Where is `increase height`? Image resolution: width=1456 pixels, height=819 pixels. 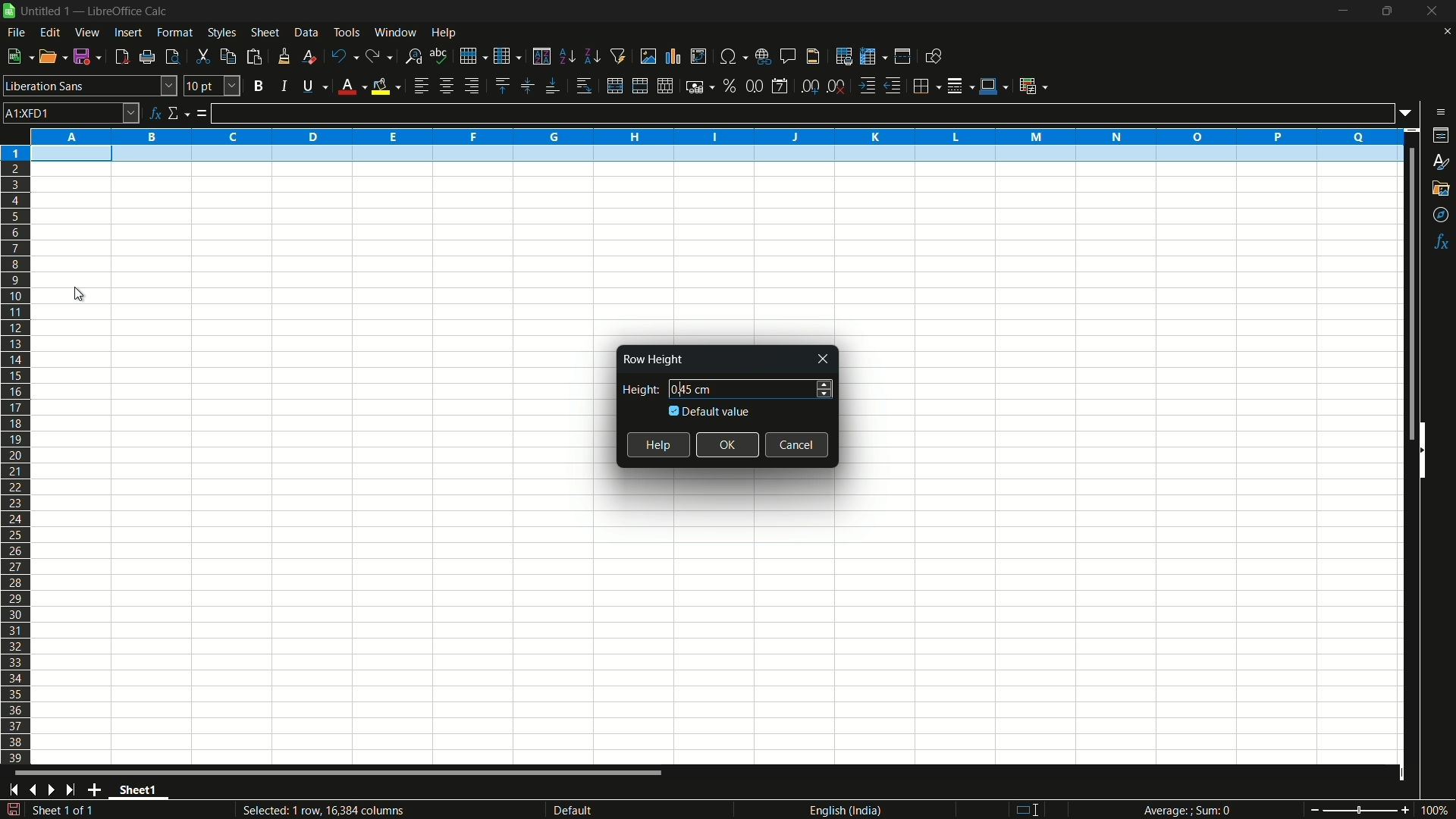
increase height is located at coordinates (825, 382).